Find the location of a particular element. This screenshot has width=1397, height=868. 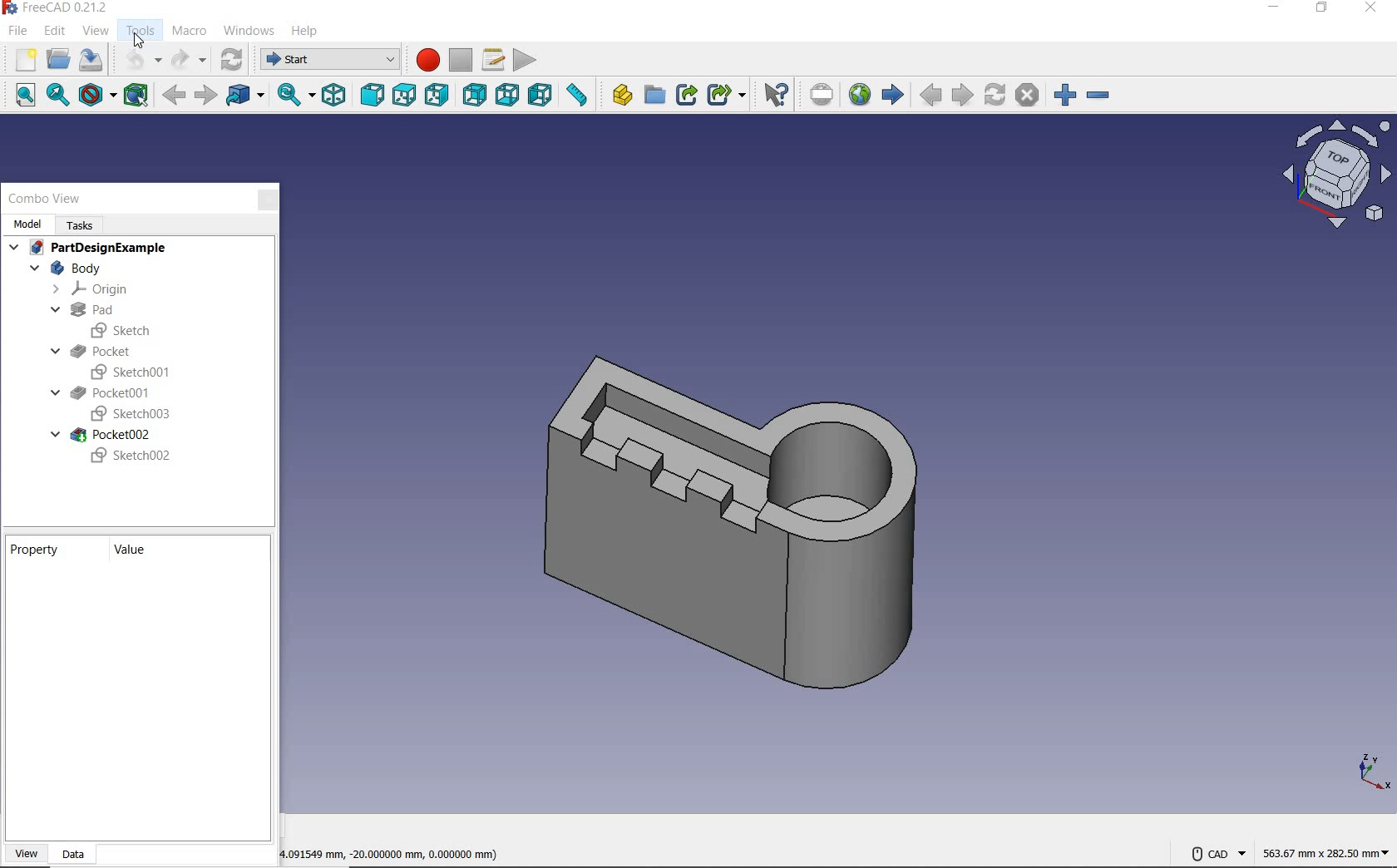

Sketch is located at coordinates (126, 329).